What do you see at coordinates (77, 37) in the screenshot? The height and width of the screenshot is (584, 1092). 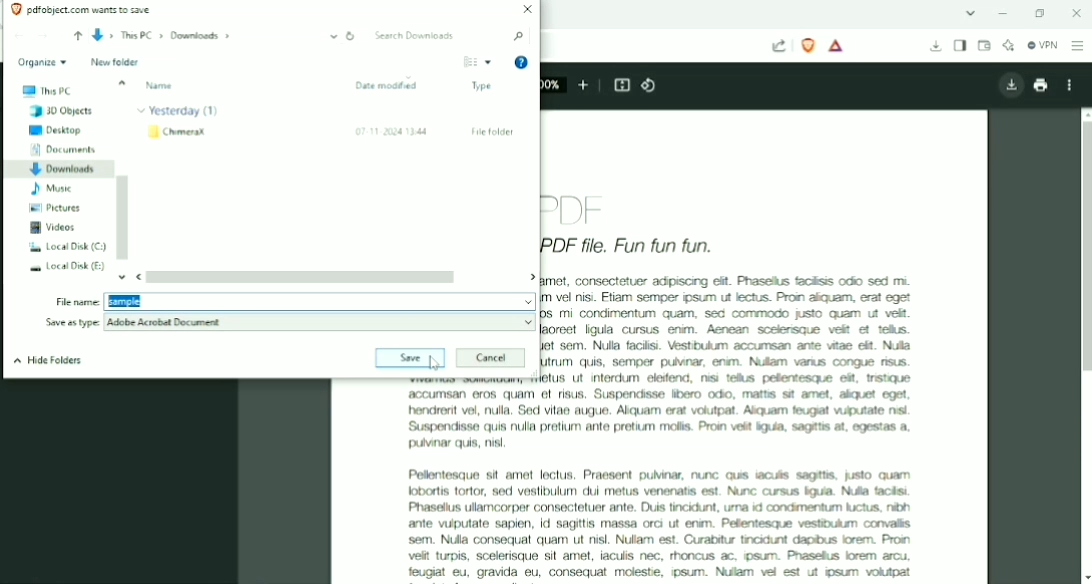 I see `Up to "This PC"` at bounding box center [77, 37].